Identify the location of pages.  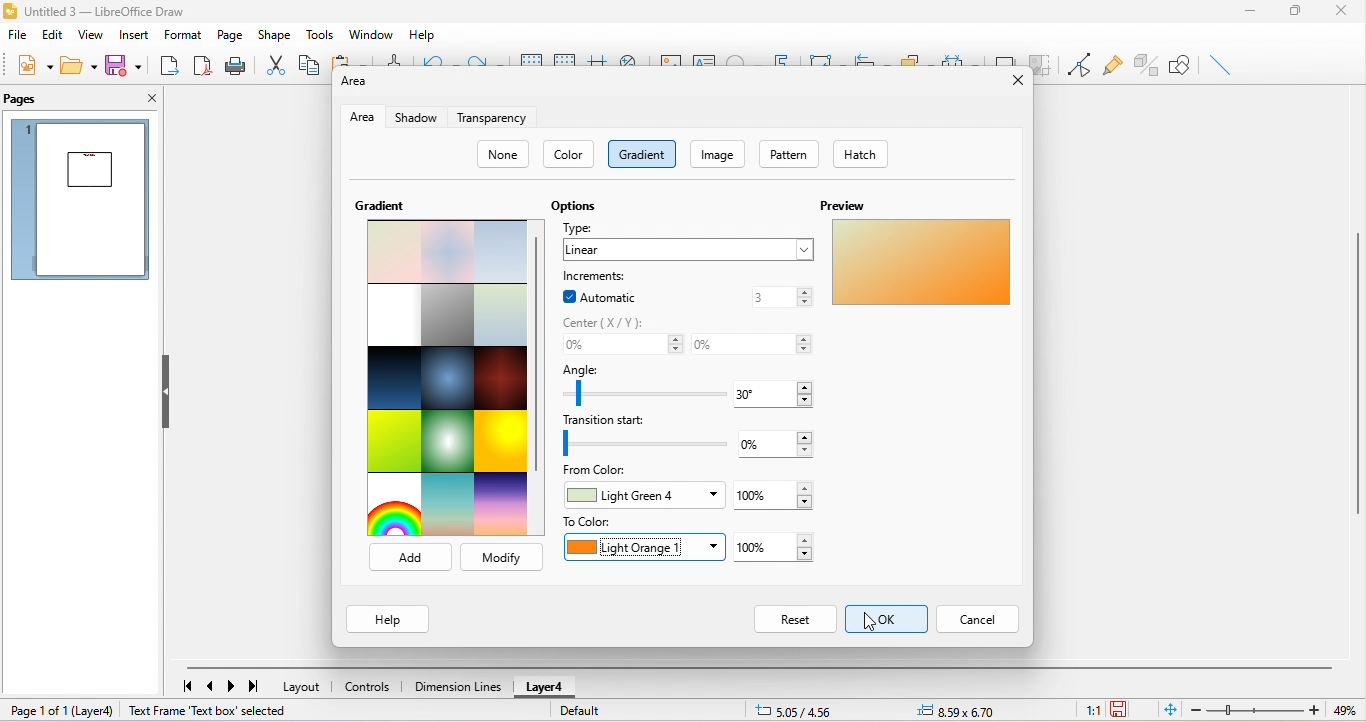
(31, 102).